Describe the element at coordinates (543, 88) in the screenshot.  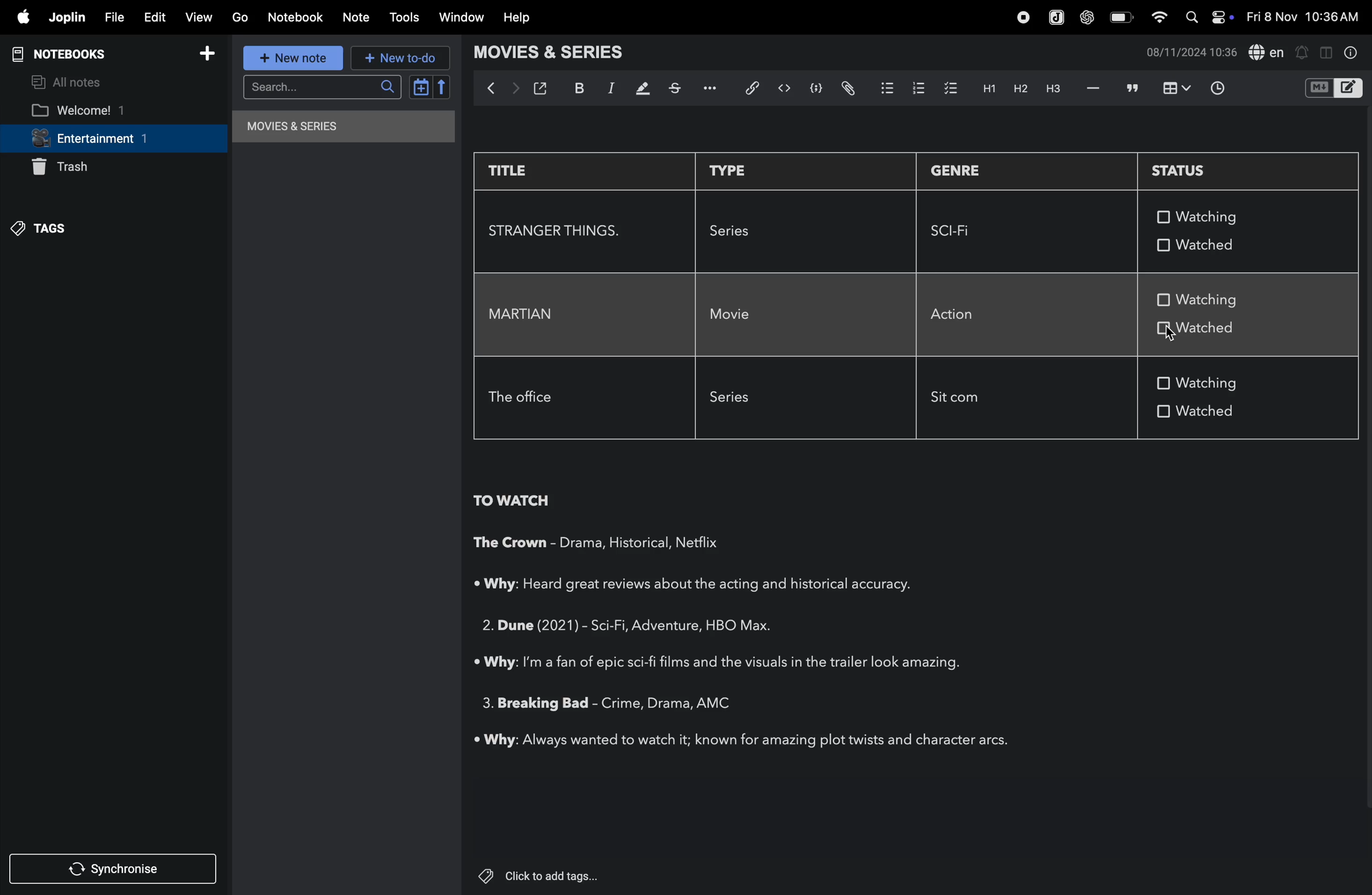
I see `open window` at that location.